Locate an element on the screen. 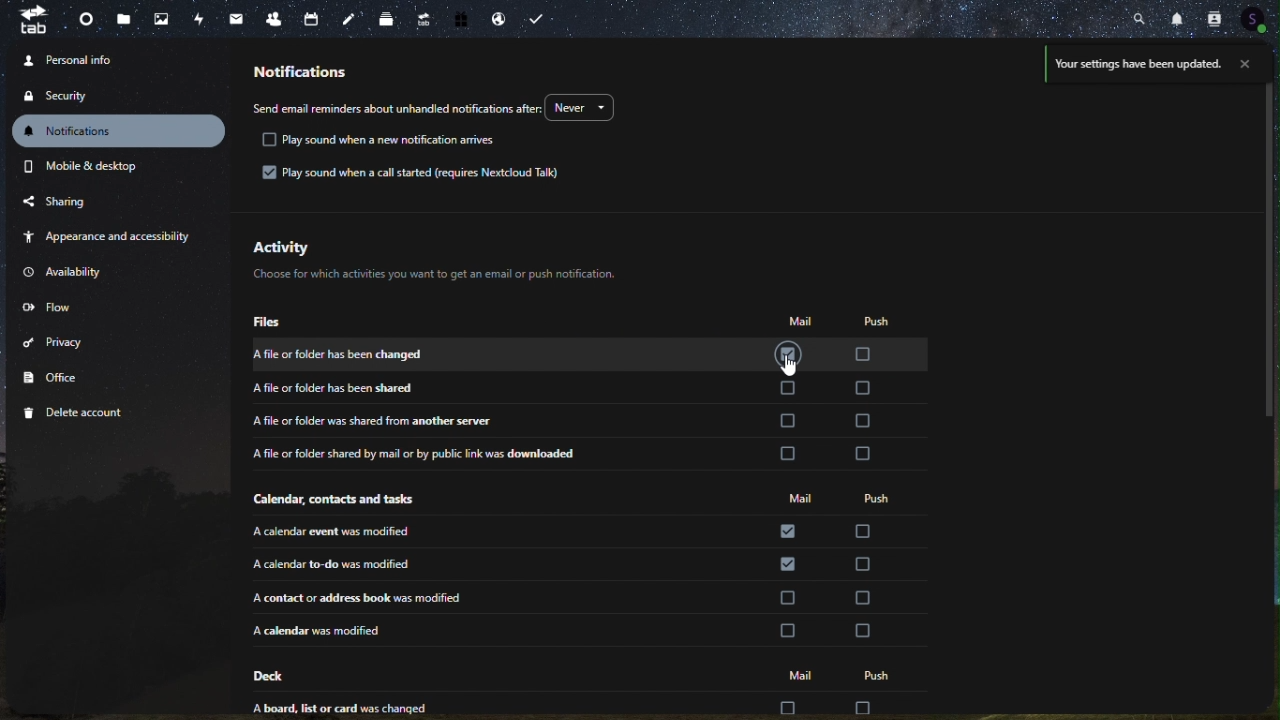 The width and height of the screenshot is (1280, 720). check box is located at coordinates (862, 388).